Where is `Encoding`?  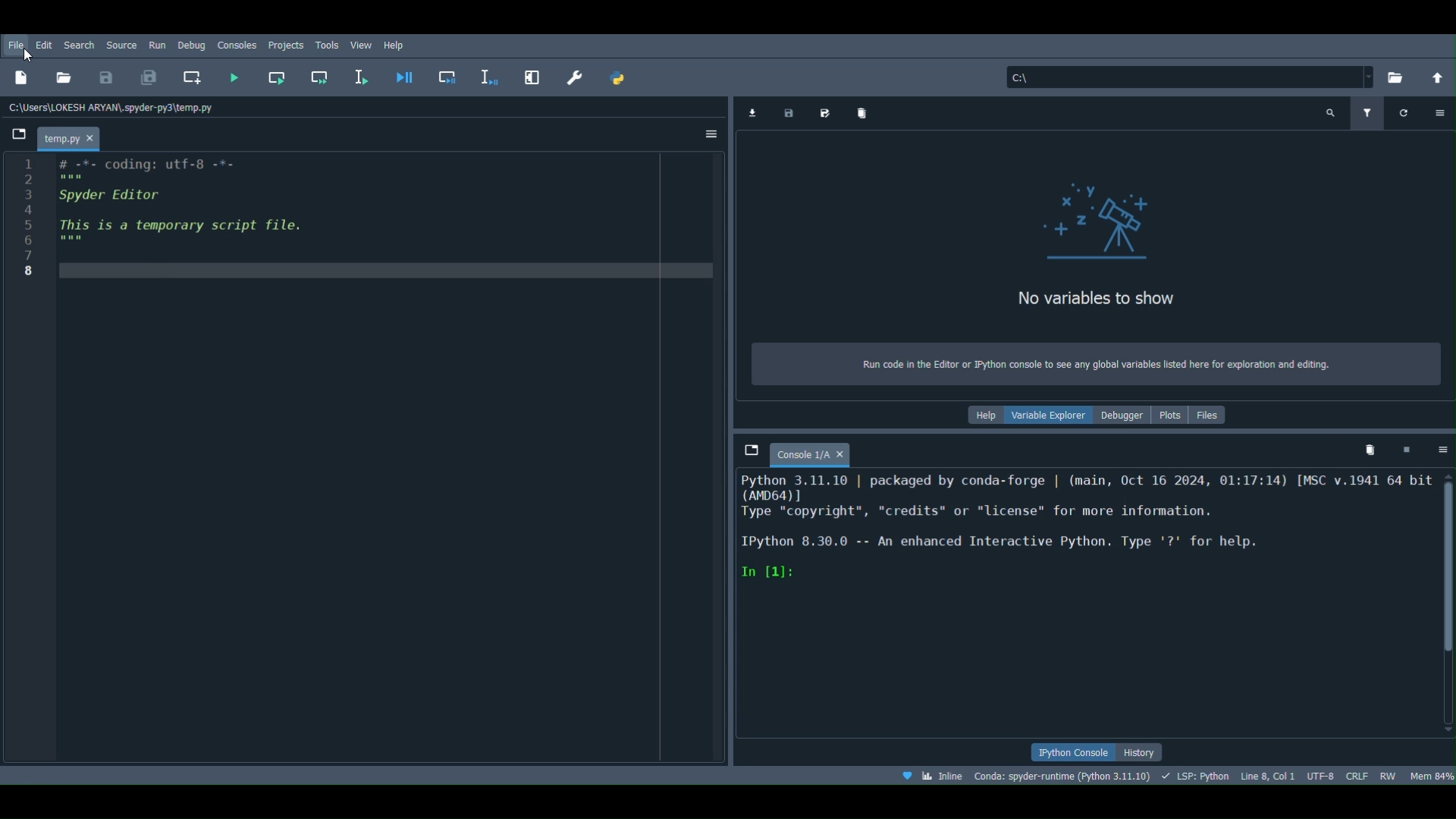
Encoding is located at coordinates (1320, 774).